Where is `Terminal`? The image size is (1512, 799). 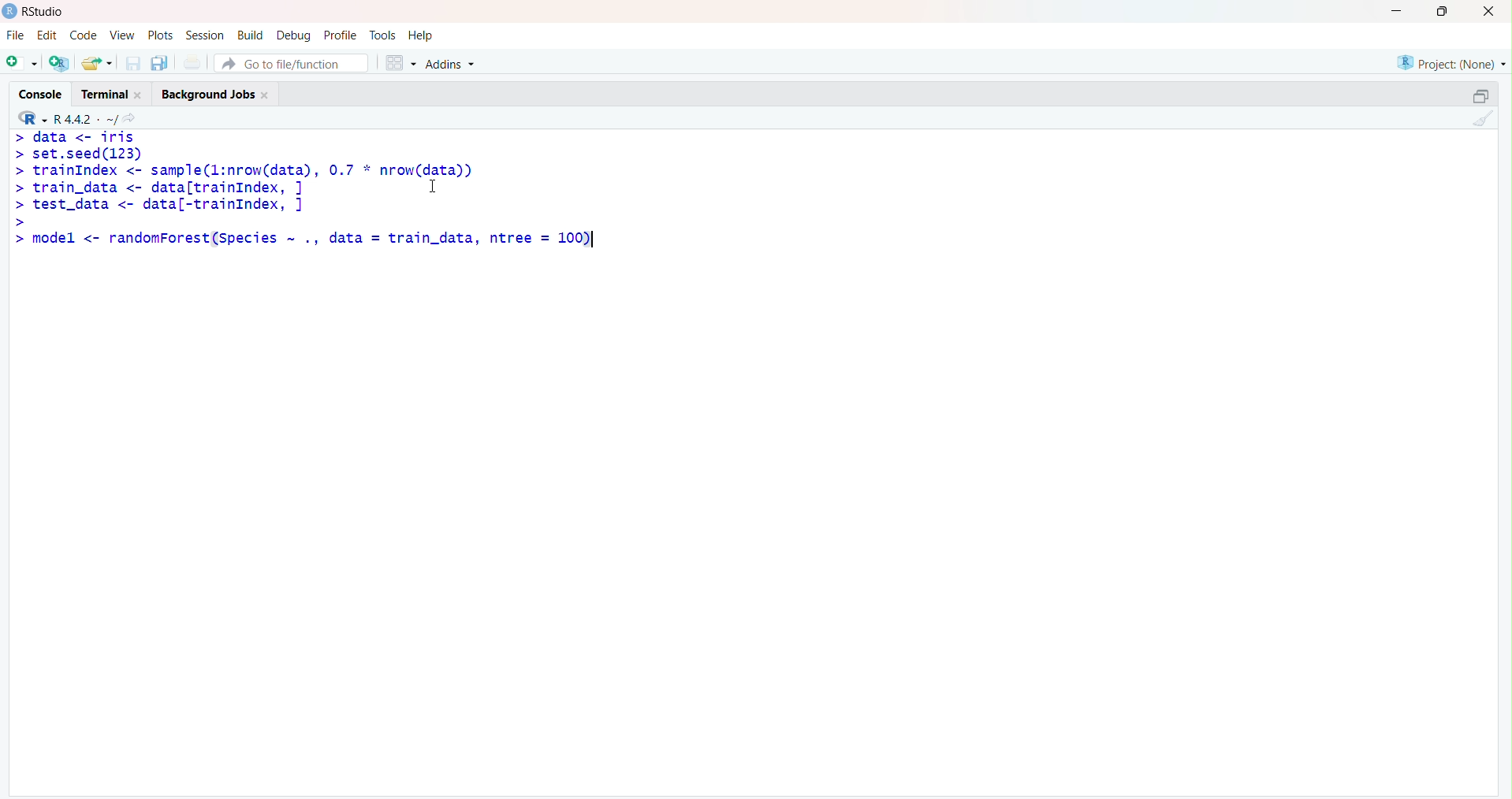 Terminal is located at coordinates (110, 91).